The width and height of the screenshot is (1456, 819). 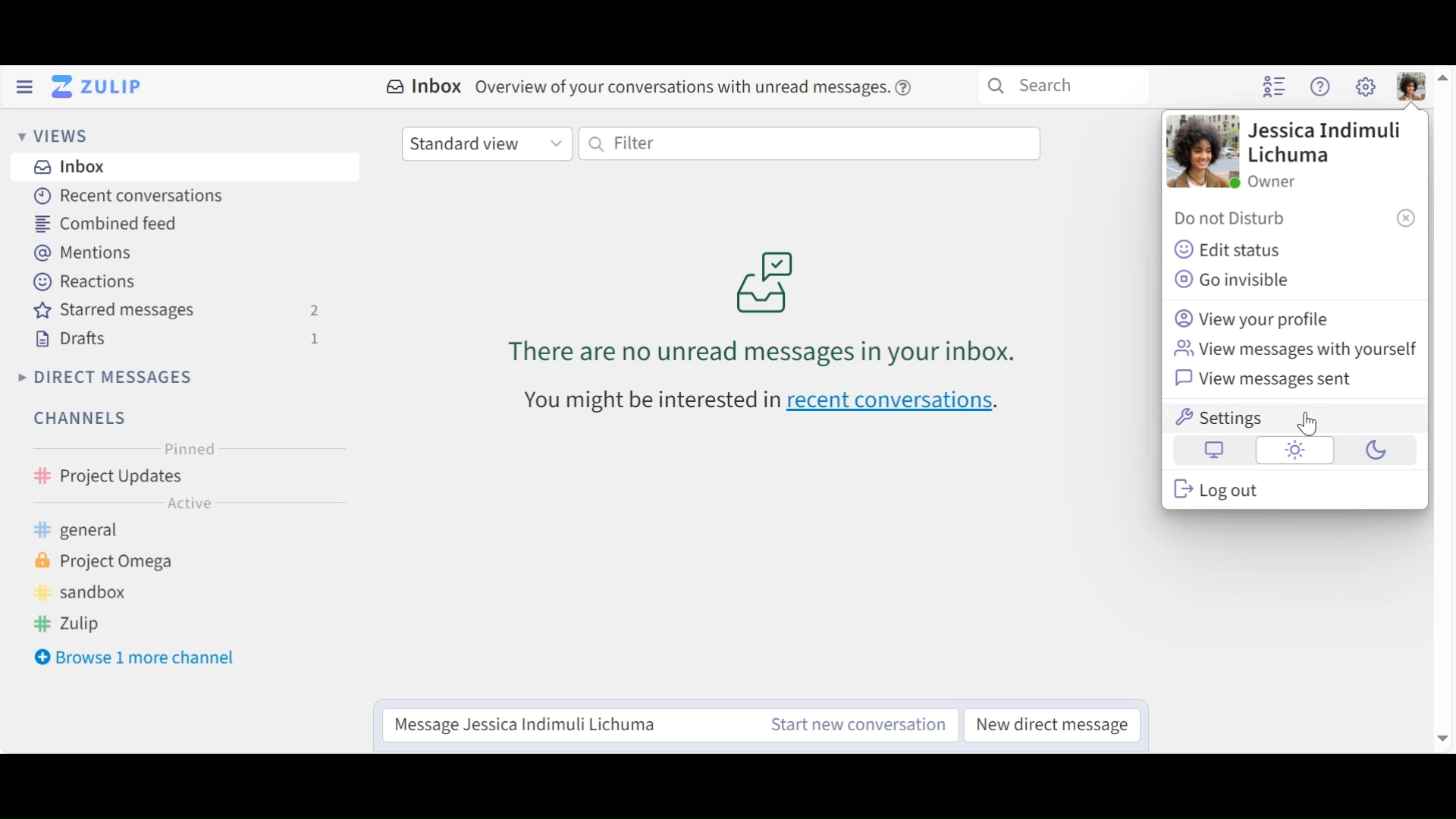 I want to click on , so click(x=1216, y=450).